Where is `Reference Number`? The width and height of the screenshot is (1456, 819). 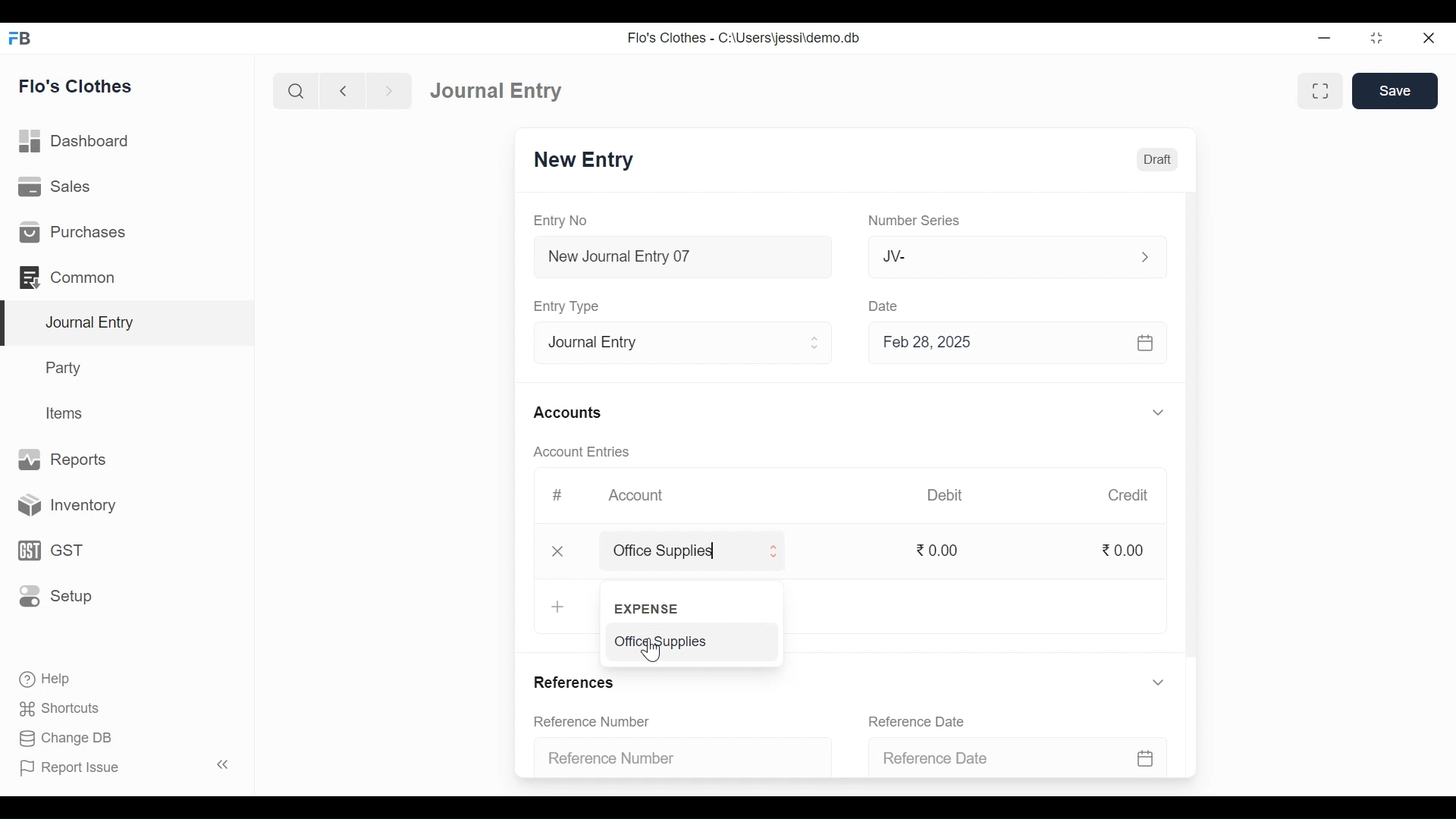 Reference Number is located at coordinates (672, 760).